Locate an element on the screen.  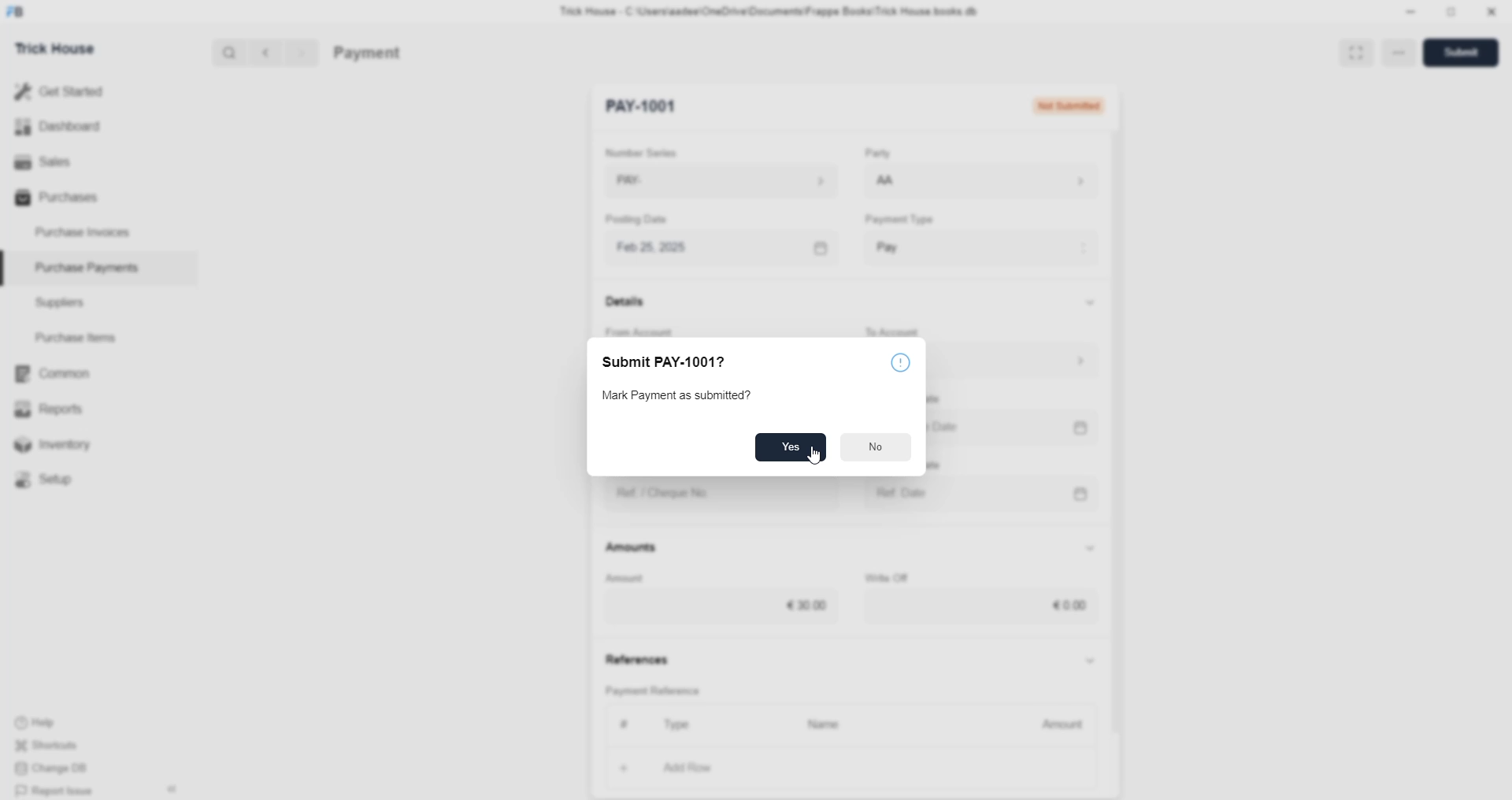
menu is located at coordinates (1403, 54).